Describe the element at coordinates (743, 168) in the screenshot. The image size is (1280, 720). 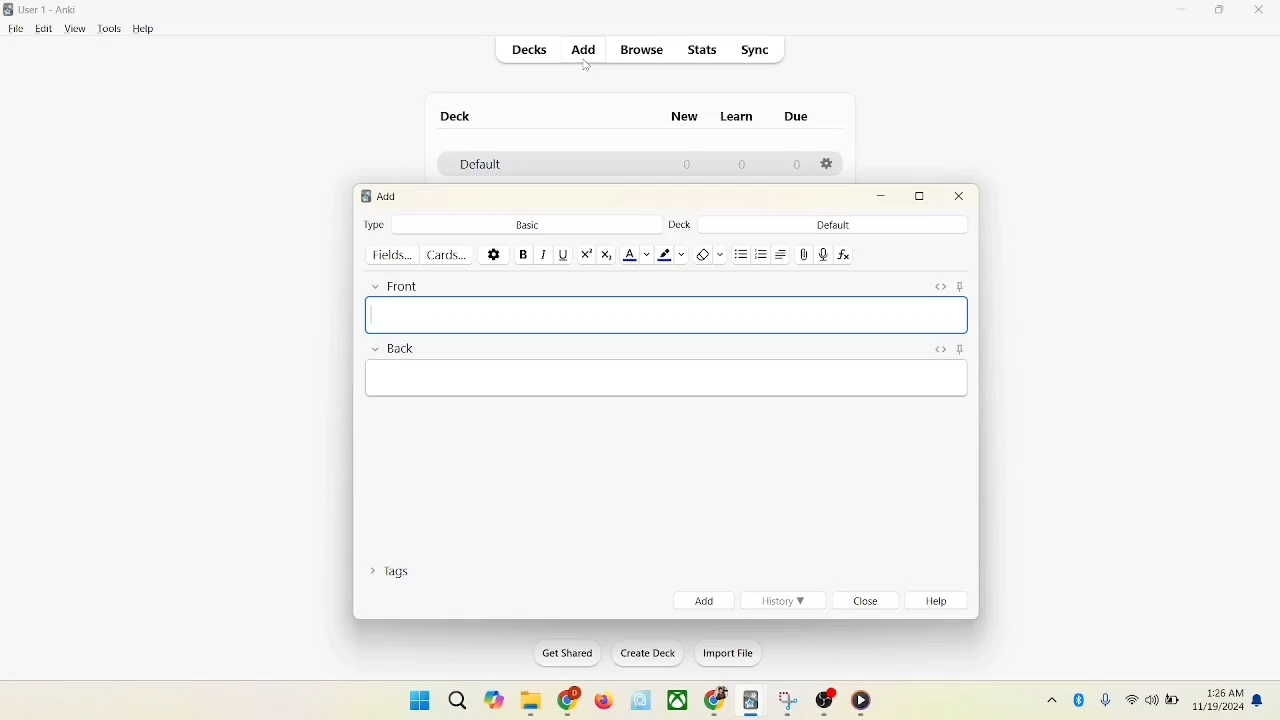
I see `` at that location.